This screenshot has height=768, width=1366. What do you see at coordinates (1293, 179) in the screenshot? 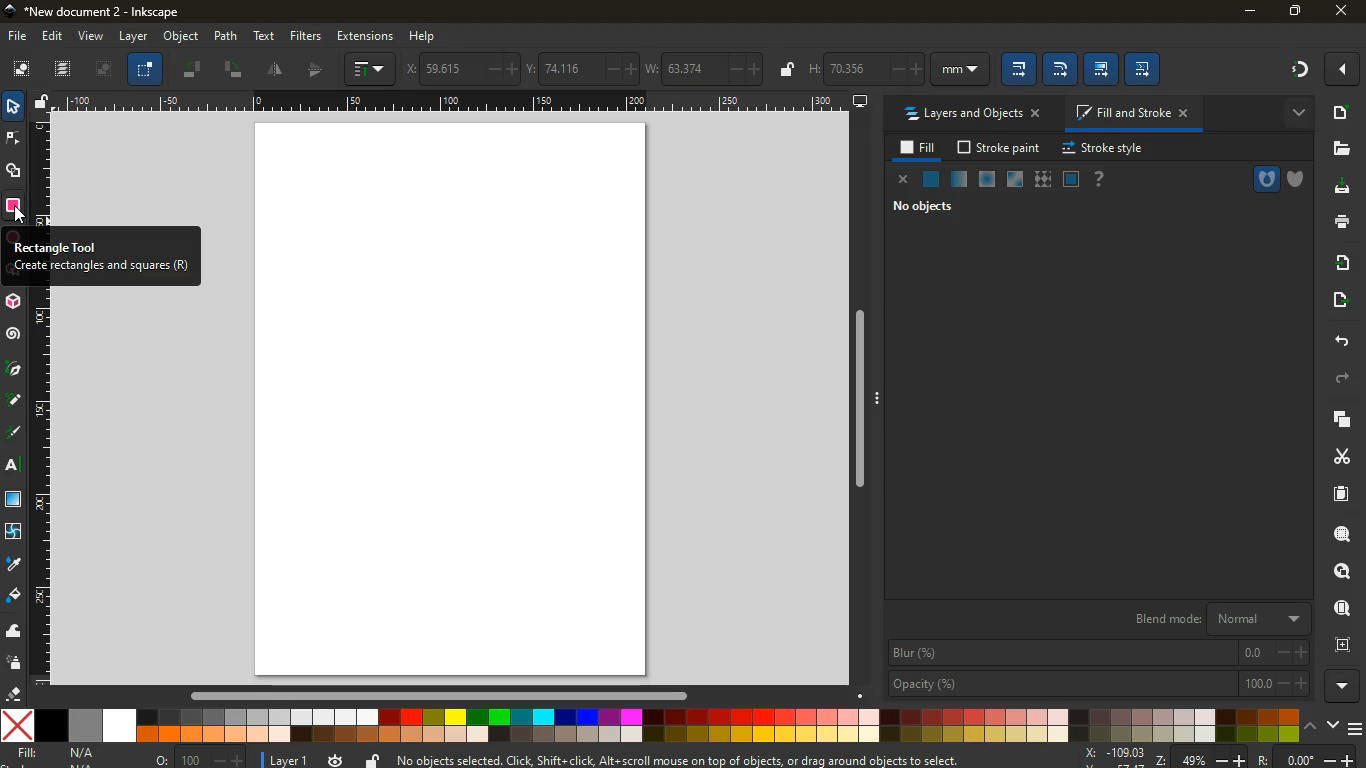
I see `shield` at bounding box center [1293, 179].